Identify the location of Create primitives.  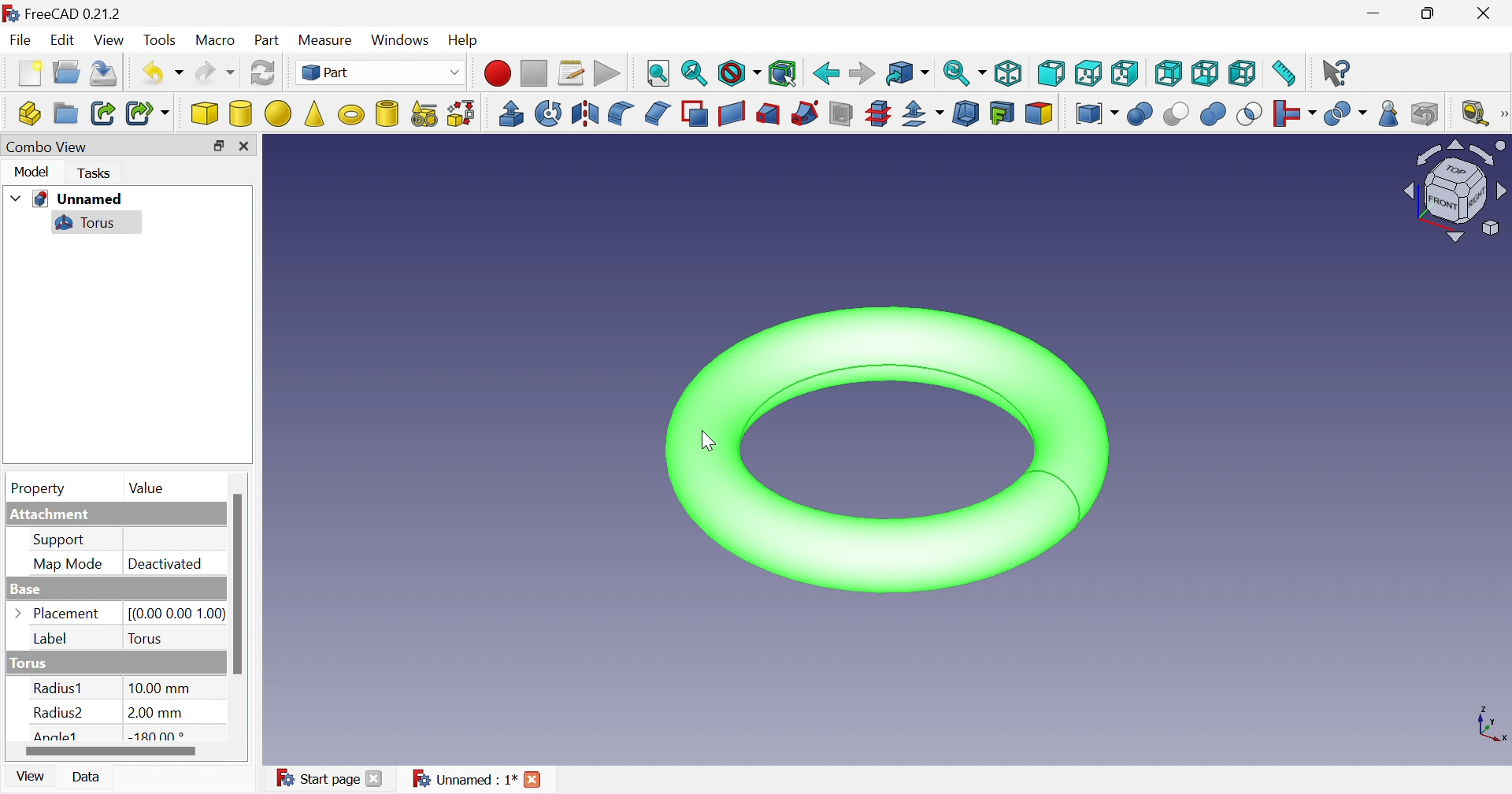
(426, 114).